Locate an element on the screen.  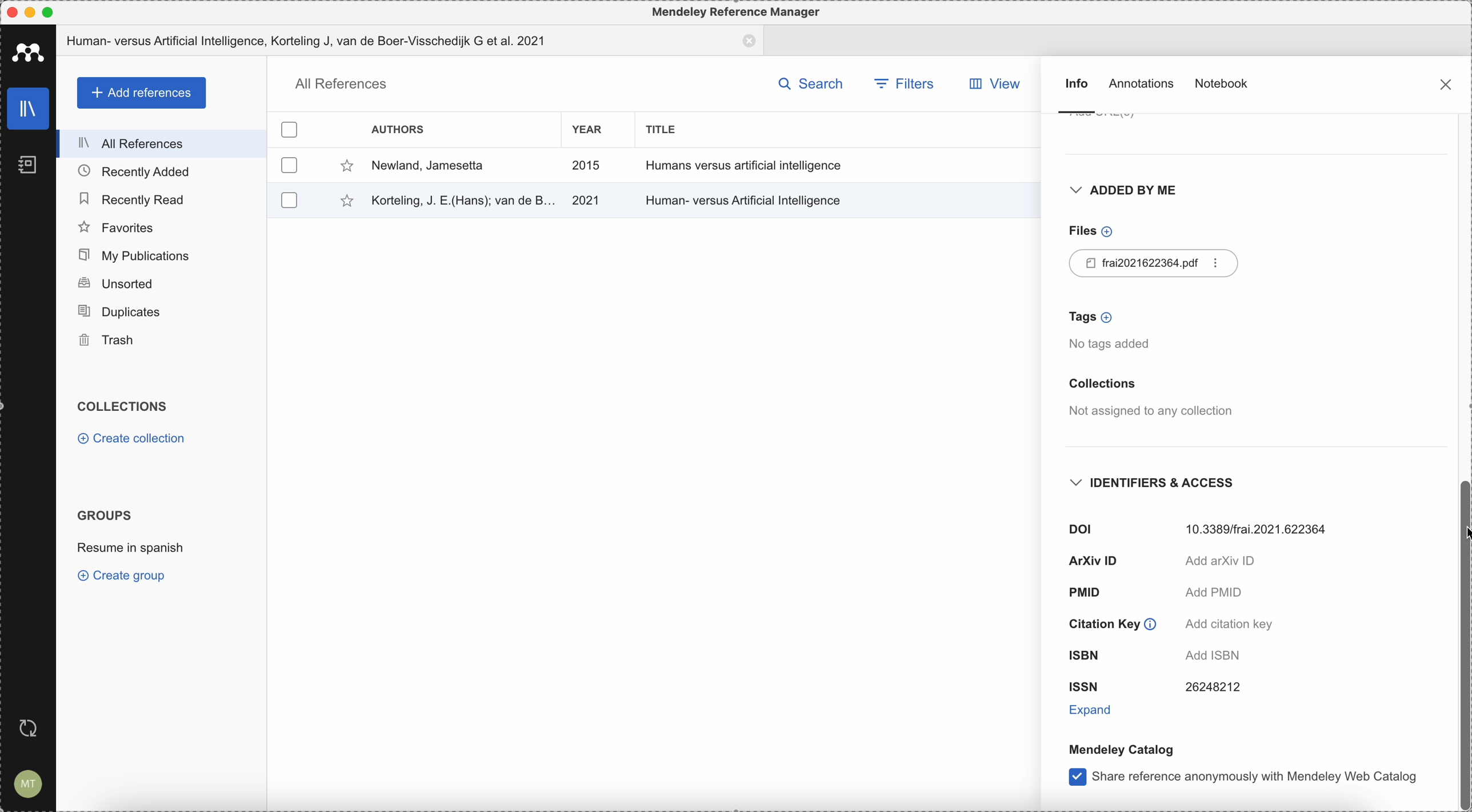
filters is located at coordinates (903, 82).